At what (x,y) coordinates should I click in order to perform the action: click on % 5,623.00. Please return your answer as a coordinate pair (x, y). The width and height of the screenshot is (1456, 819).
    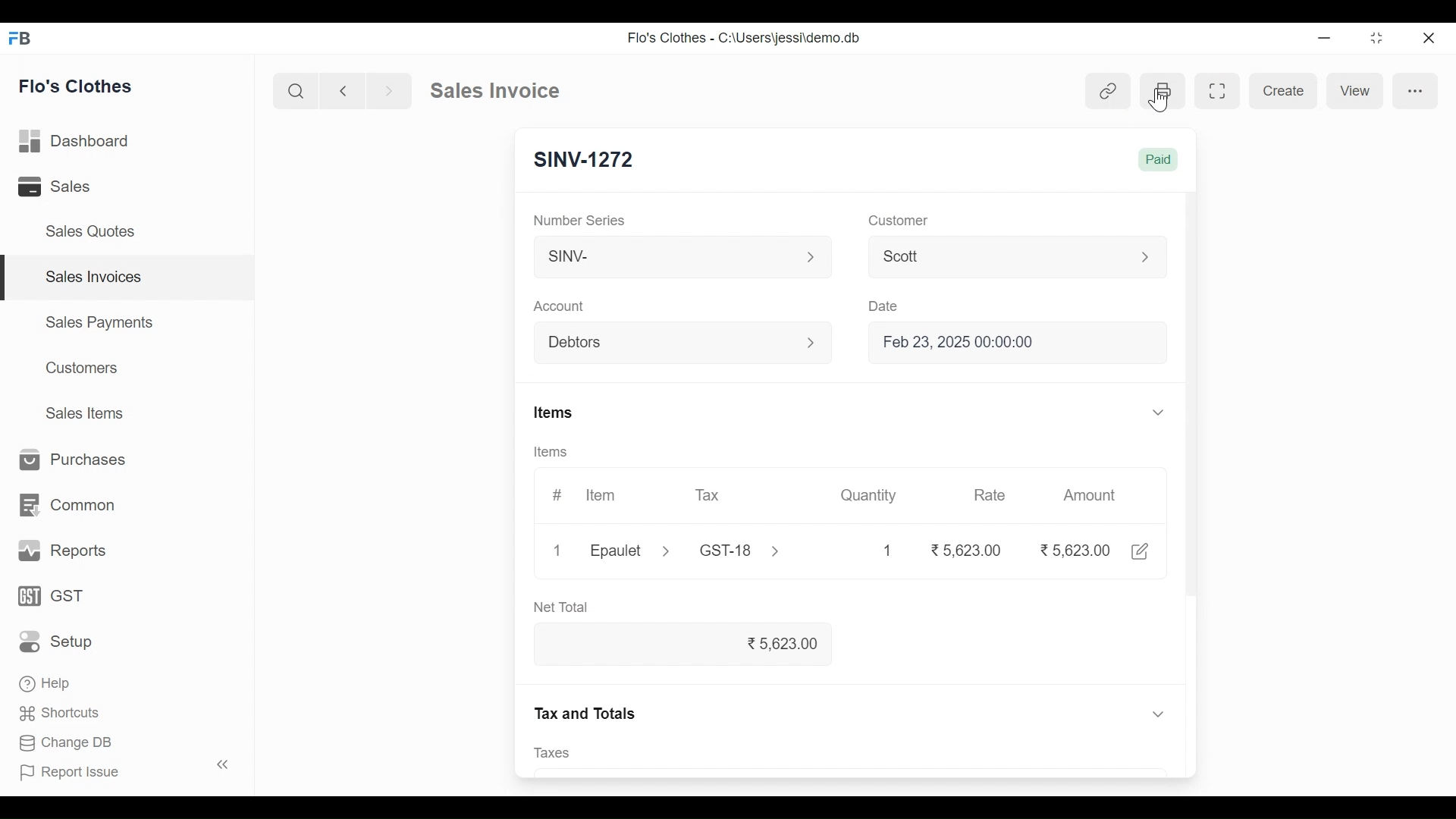
    Looking at the image, I should click on (780, 644).